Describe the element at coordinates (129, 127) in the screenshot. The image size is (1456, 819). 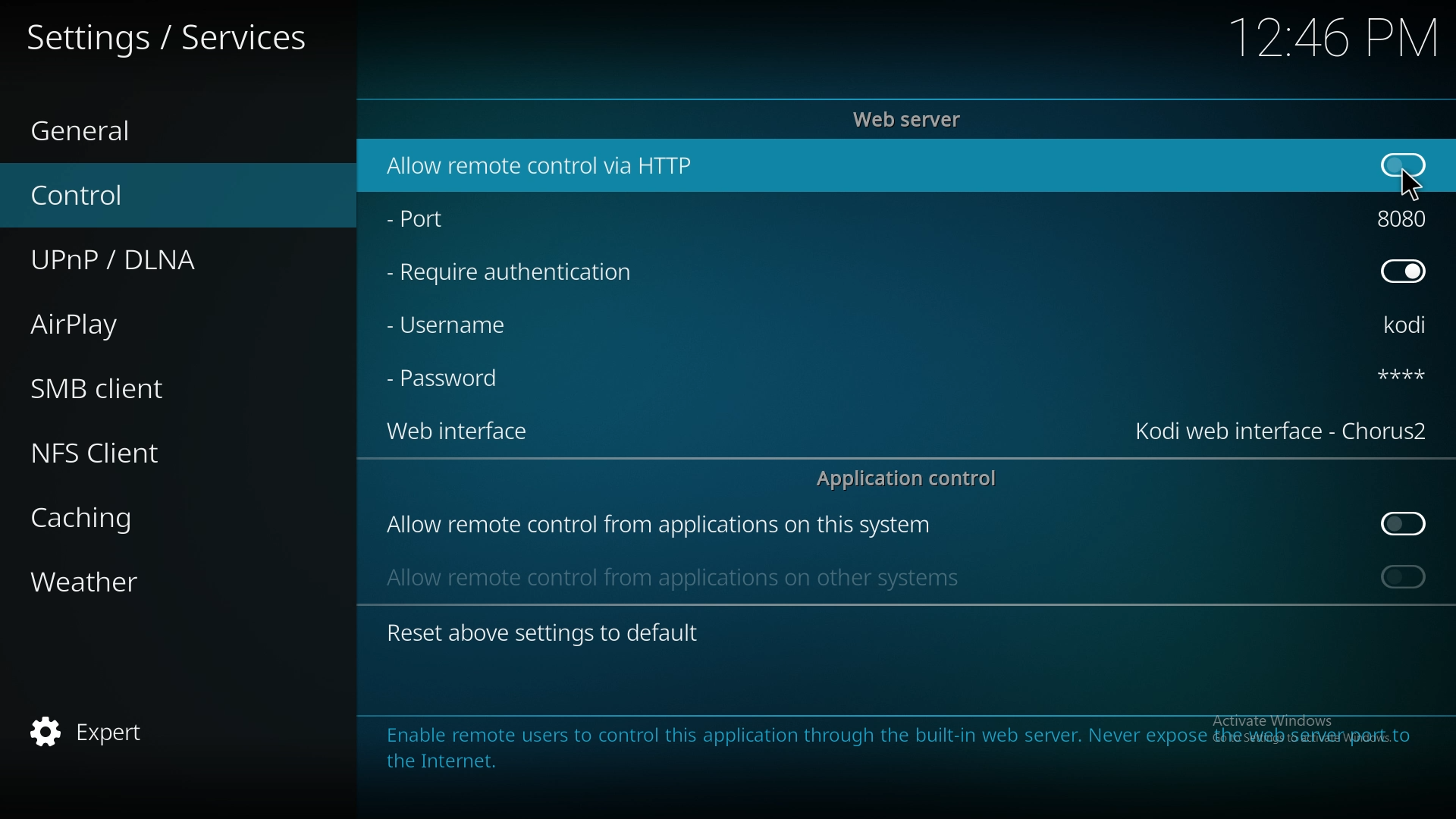
I see `general` at that location.